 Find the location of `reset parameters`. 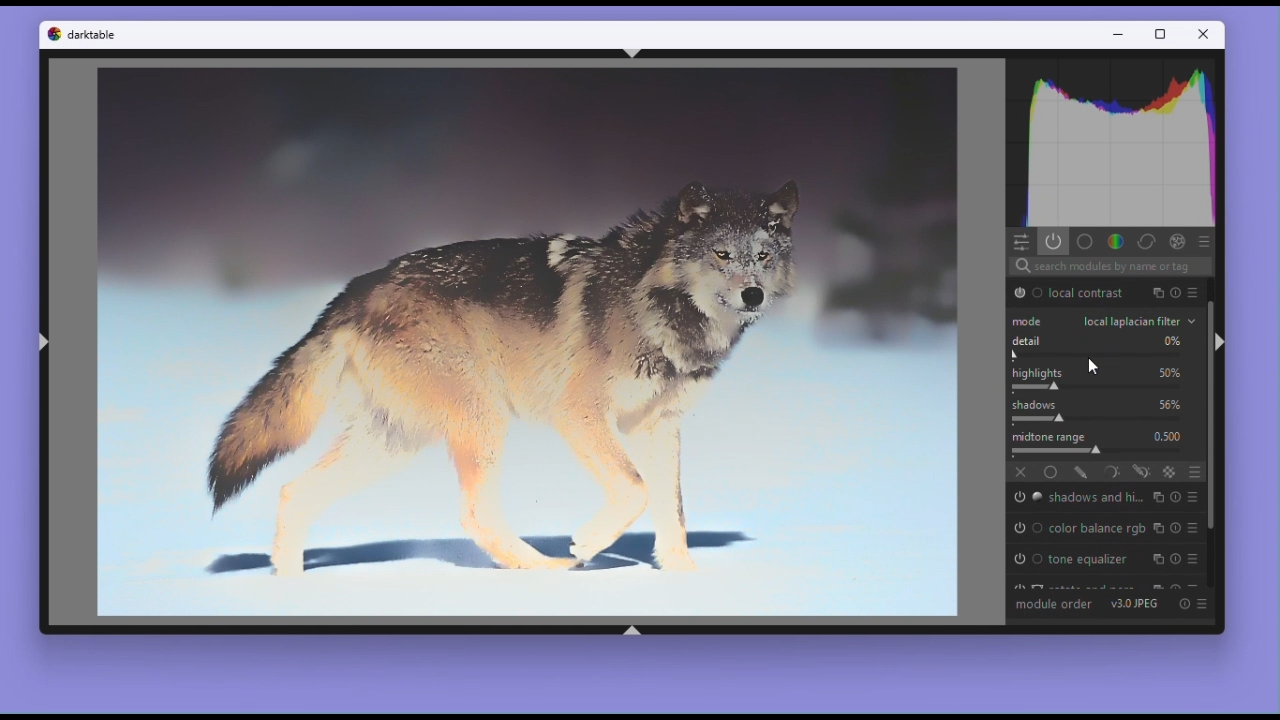

reset parameters is located at coordinates (1194, 293).